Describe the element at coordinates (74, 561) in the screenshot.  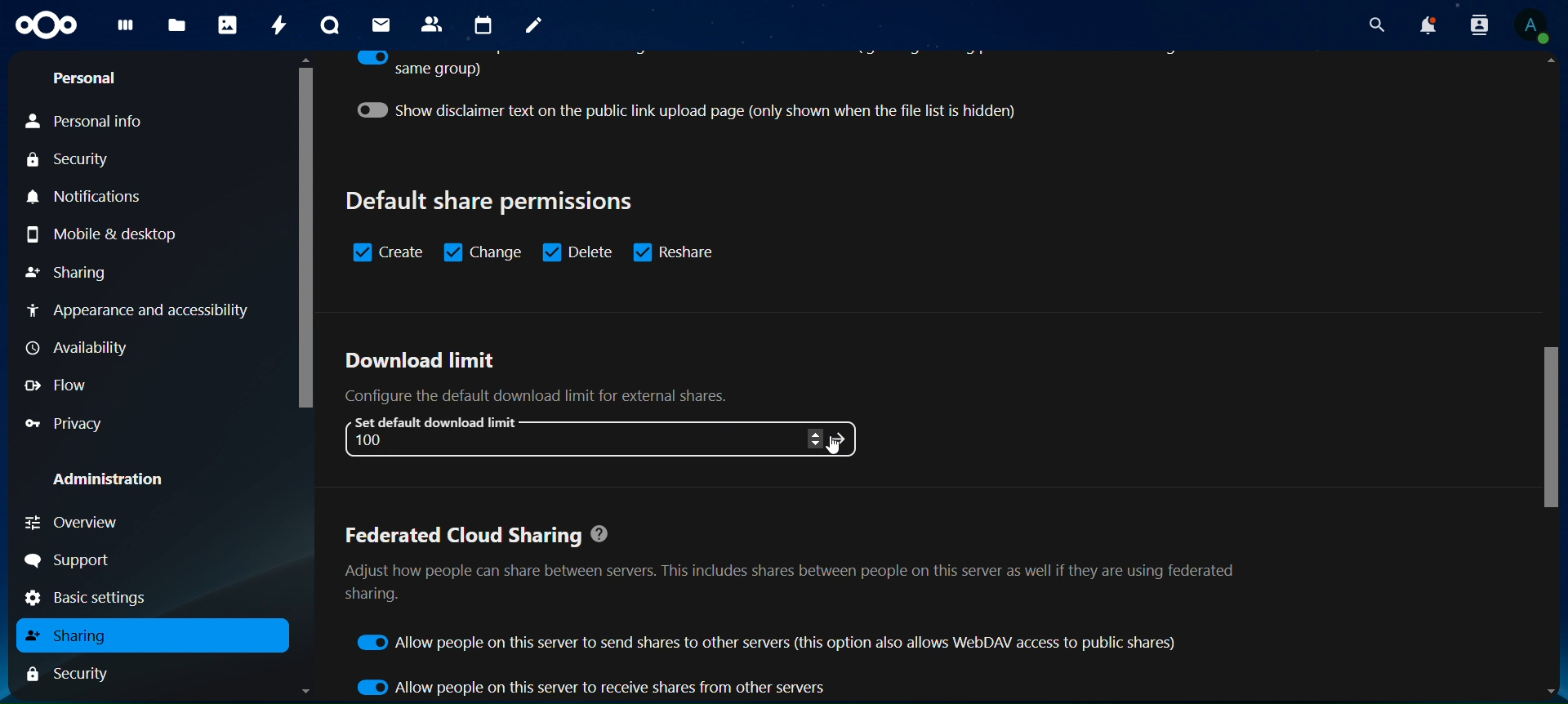
I see `support` at that location.